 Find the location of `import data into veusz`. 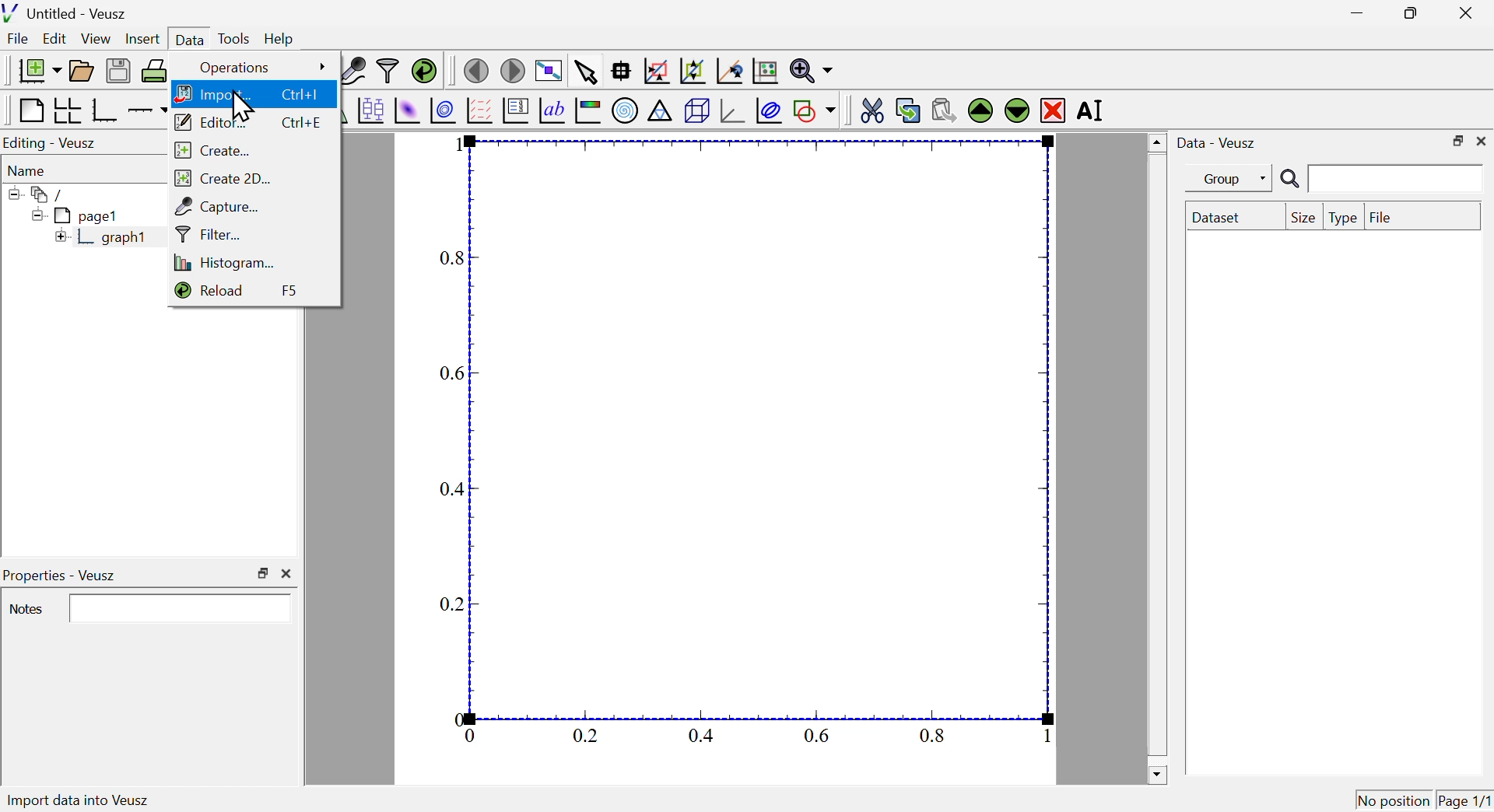

import data into veusz is located at coordinates (90, 801).